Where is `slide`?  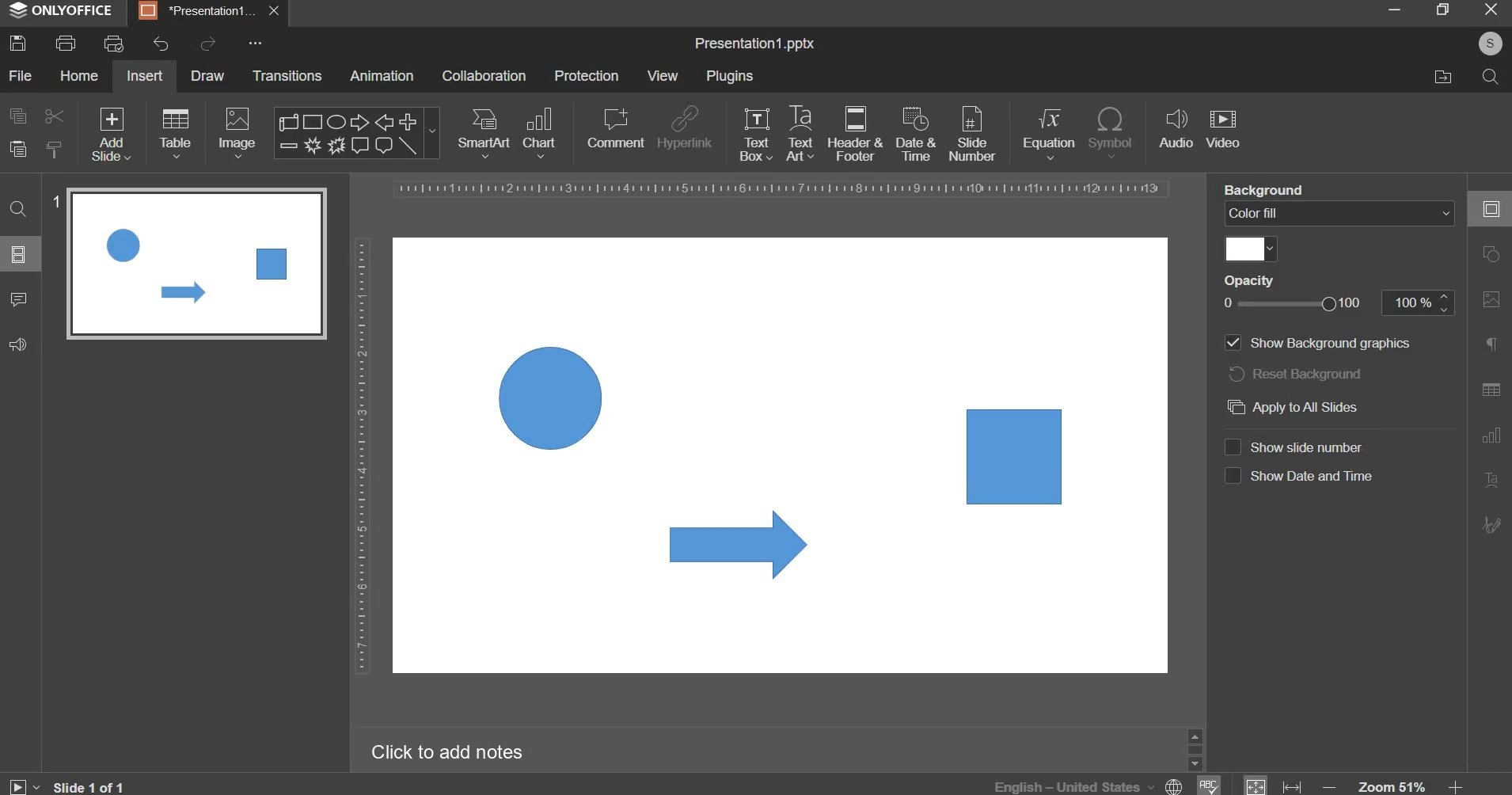
slide is located at coordinates (19, 253).